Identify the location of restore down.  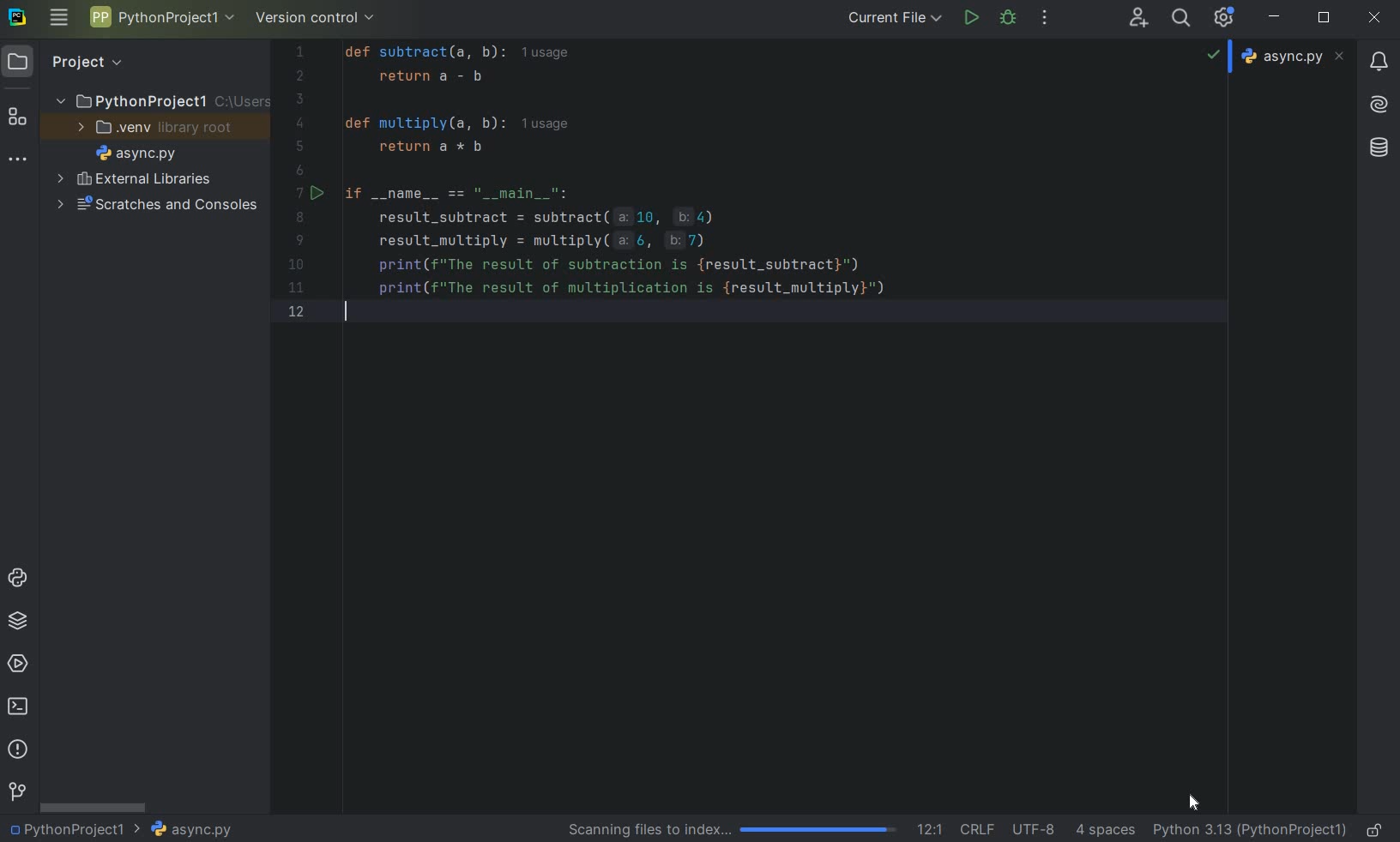
(1325, 19).